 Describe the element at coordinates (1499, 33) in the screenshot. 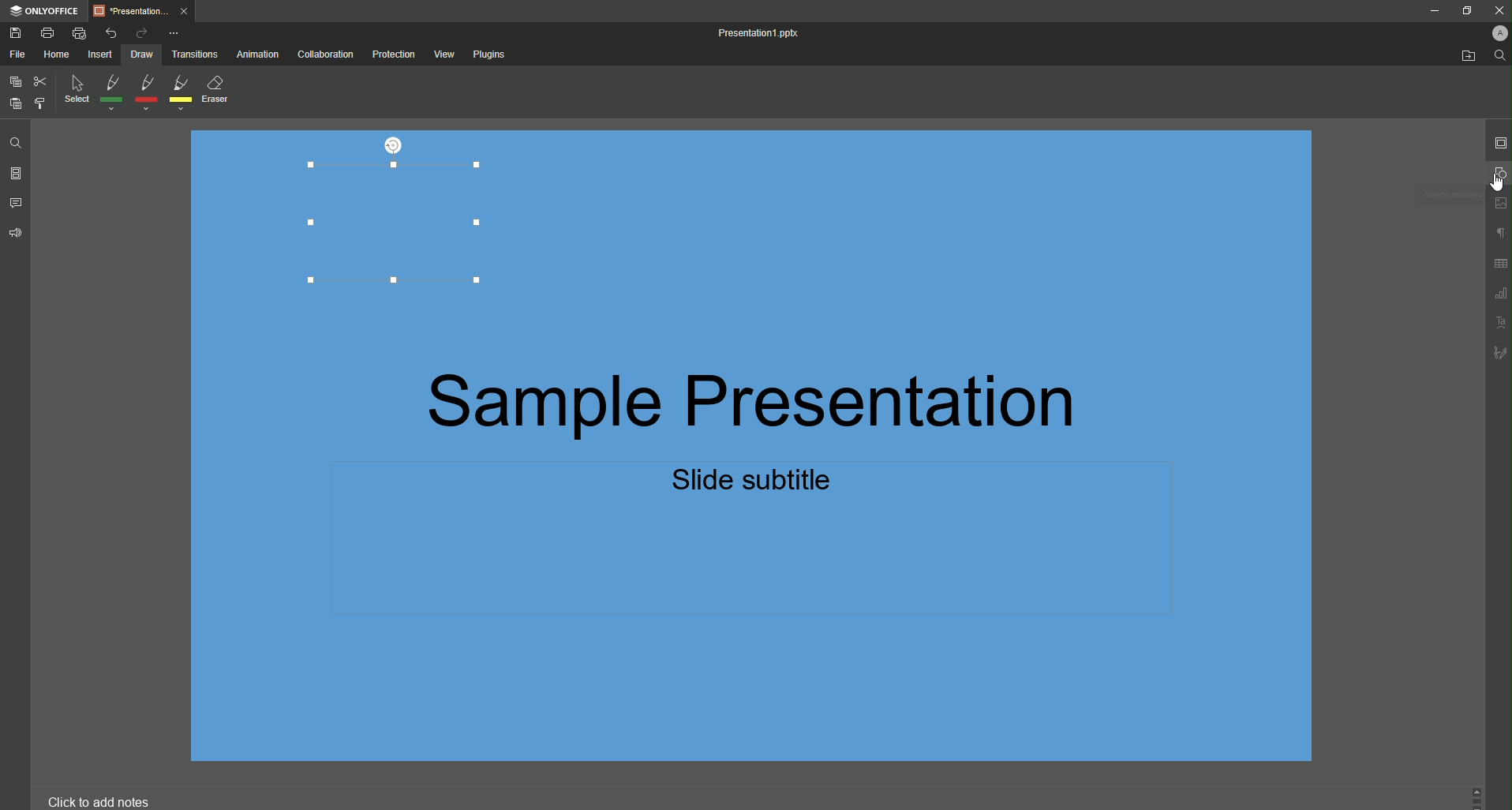

I see `Profile` at that location.